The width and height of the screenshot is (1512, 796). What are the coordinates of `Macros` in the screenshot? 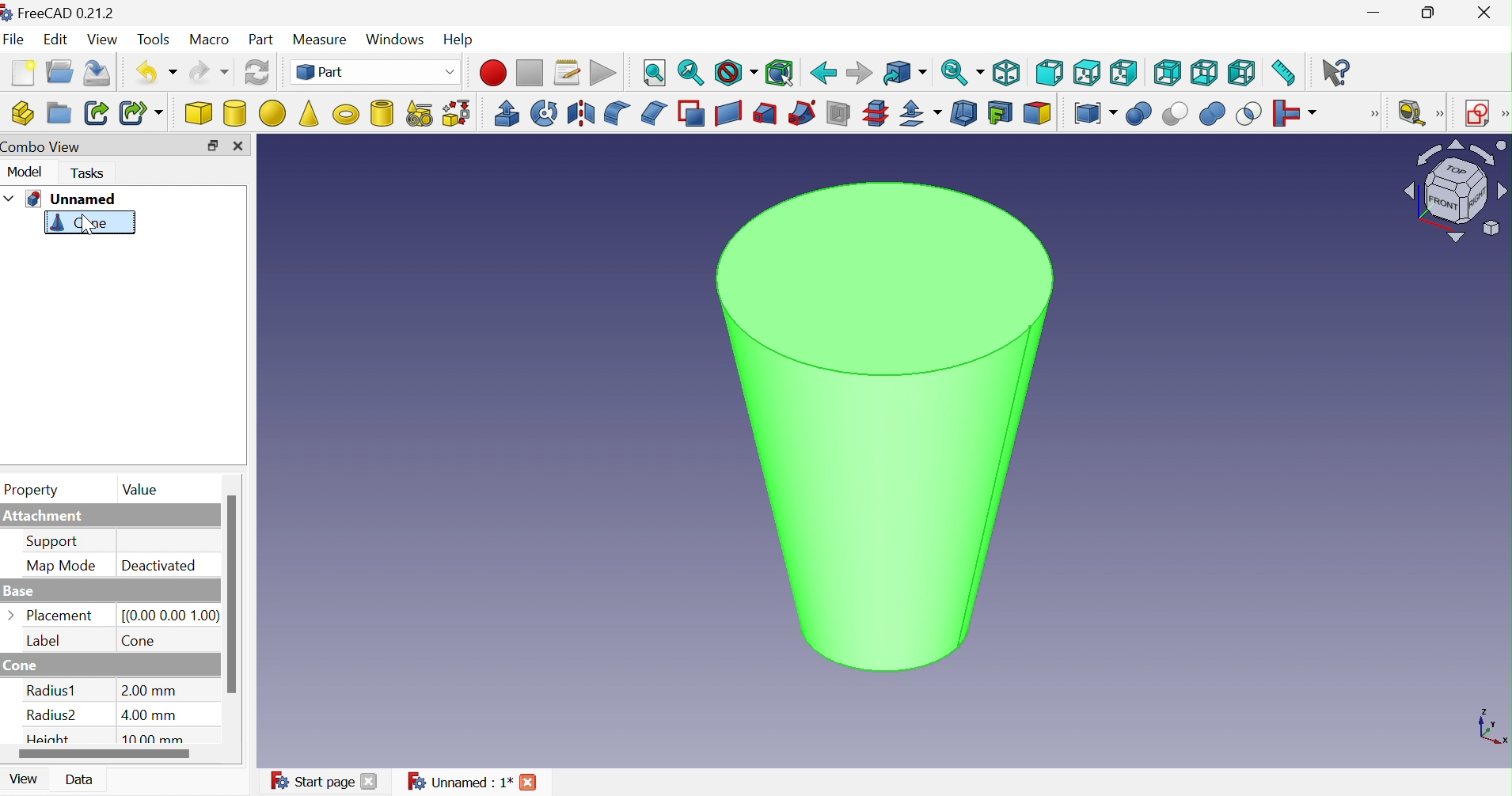 It's located at (568, 73).